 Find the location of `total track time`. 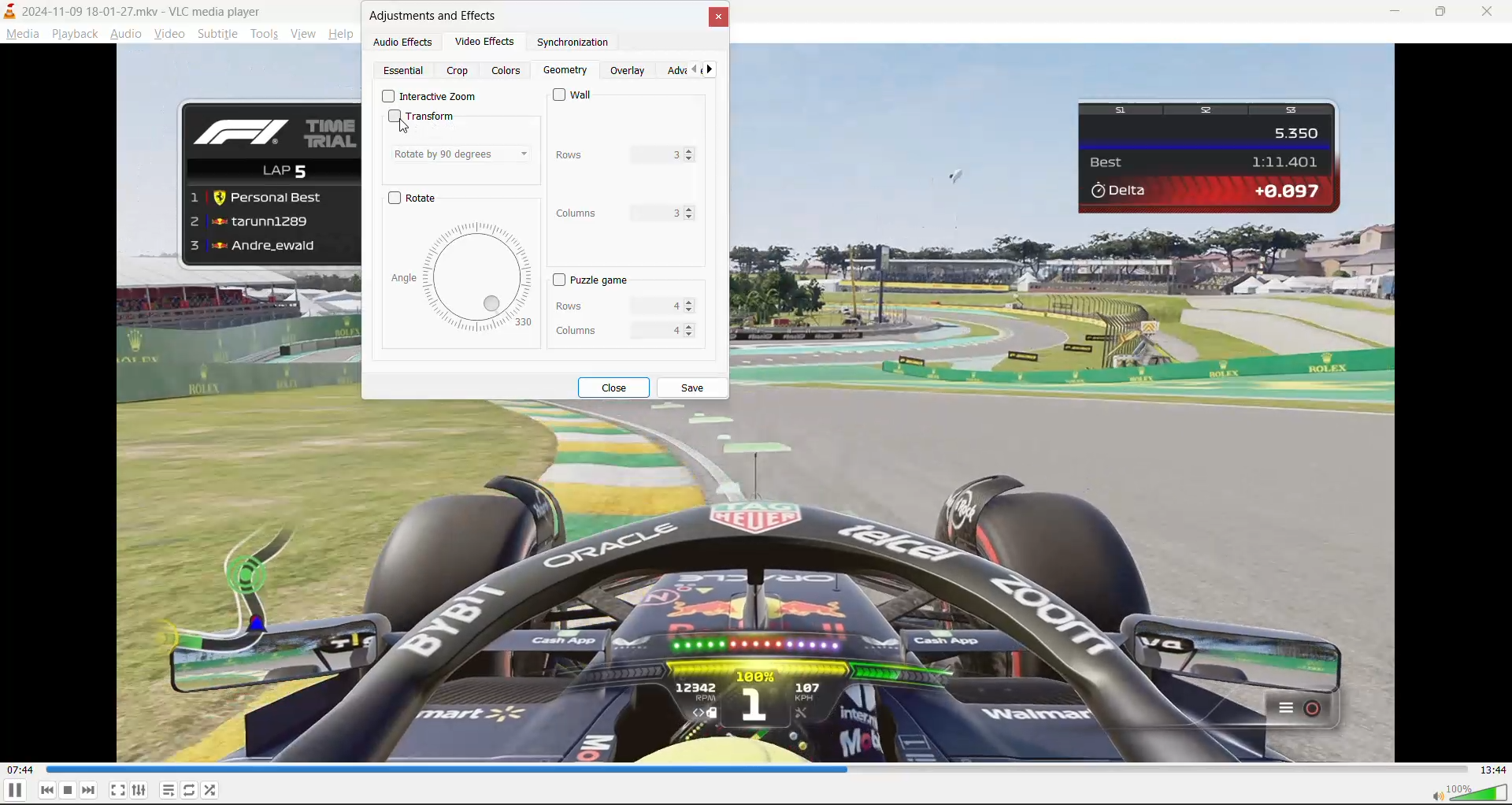

total track time is located at coordinates (1493, 770).